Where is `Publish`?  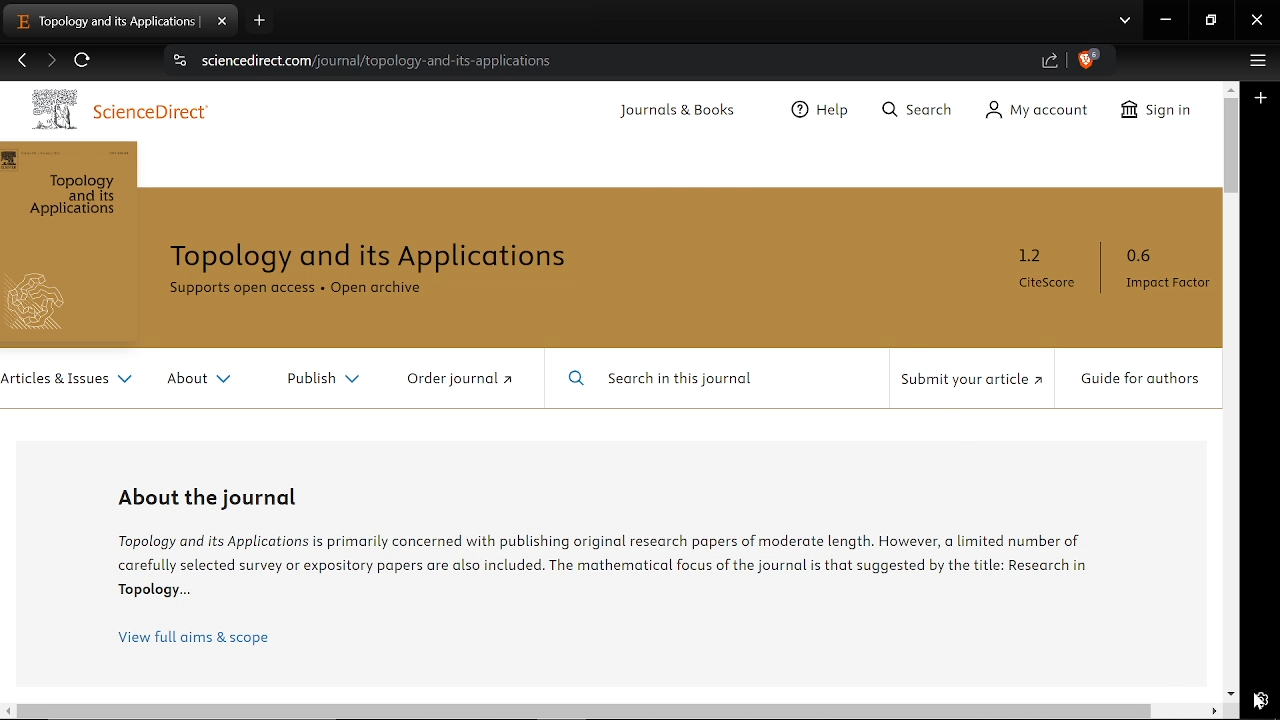 Publish is located at coordinates (322, 377).